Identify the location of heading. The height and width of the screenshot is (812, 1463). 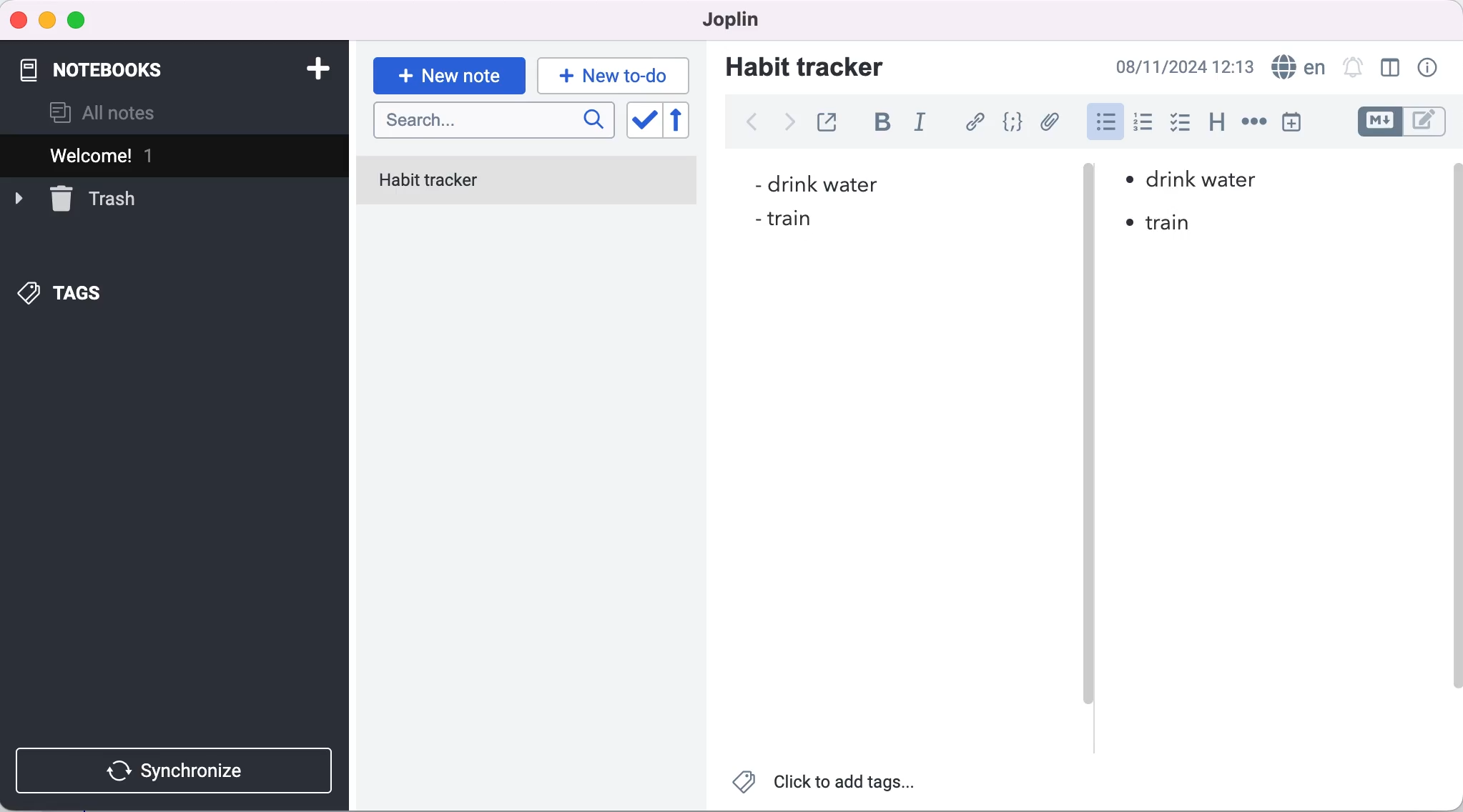
(1218, 123).